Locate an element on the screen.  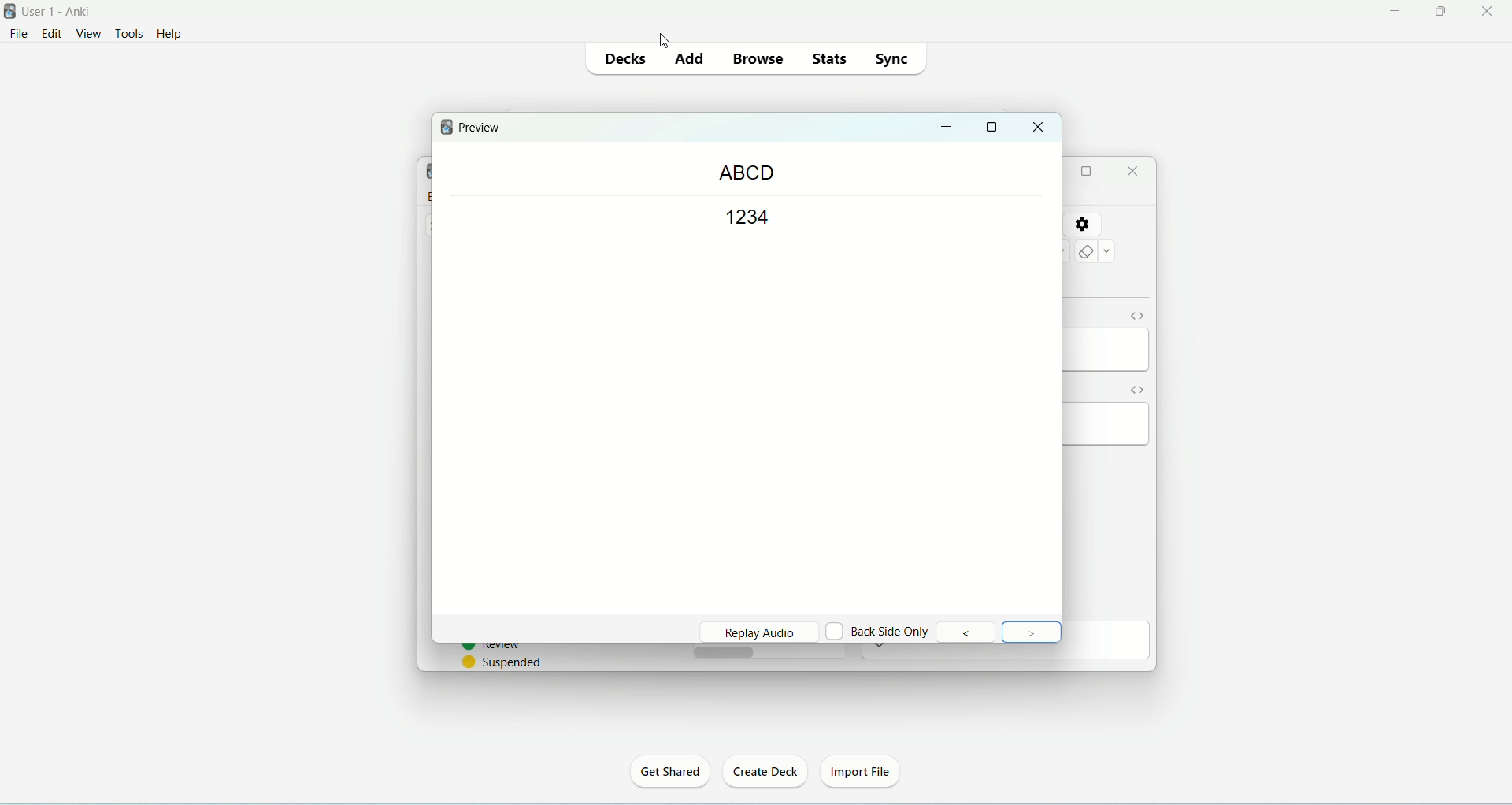
settings is located at coordinates (1081, 225).